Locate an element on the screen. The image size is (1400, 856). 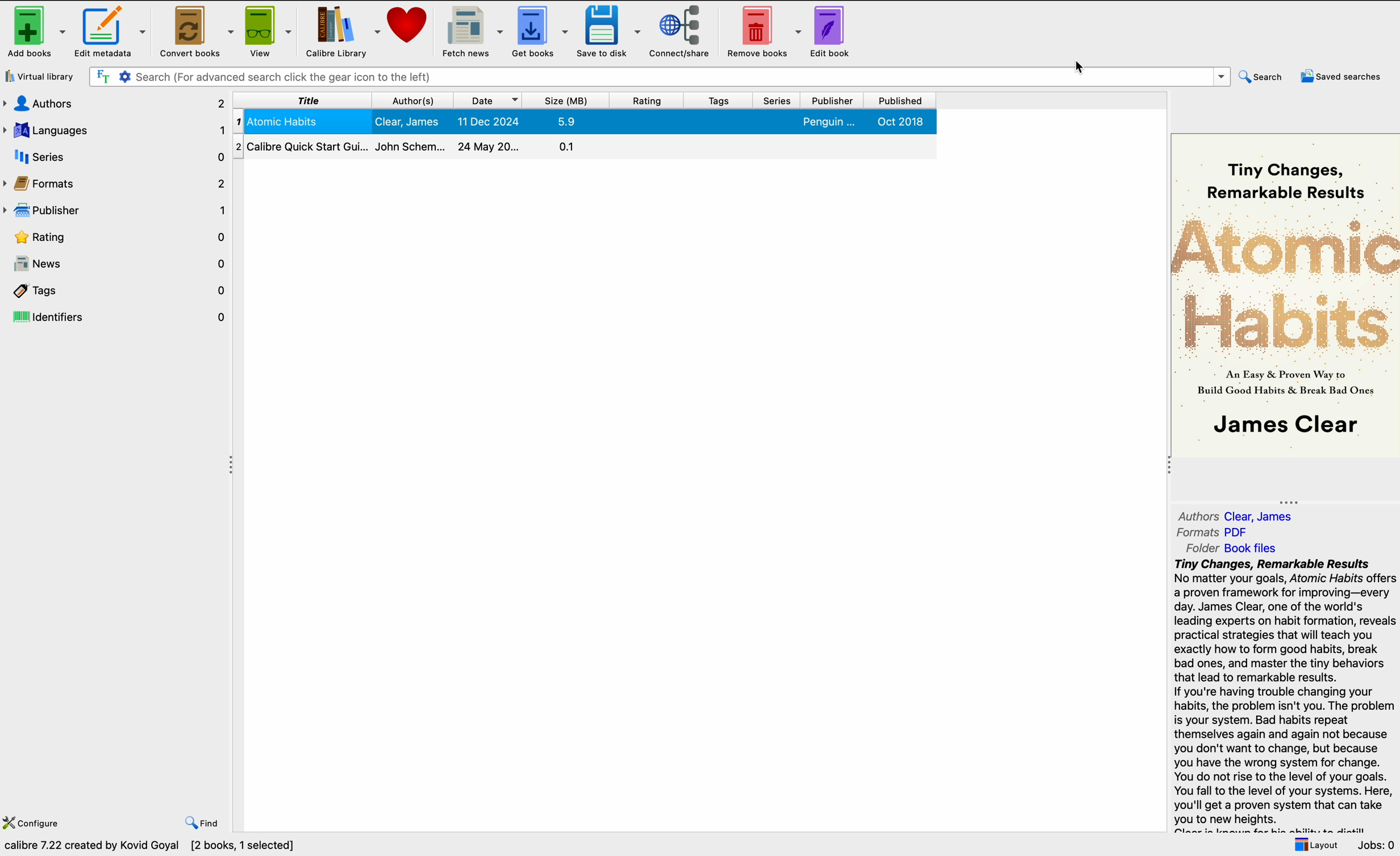
authors is located at coordinates (115, 102).